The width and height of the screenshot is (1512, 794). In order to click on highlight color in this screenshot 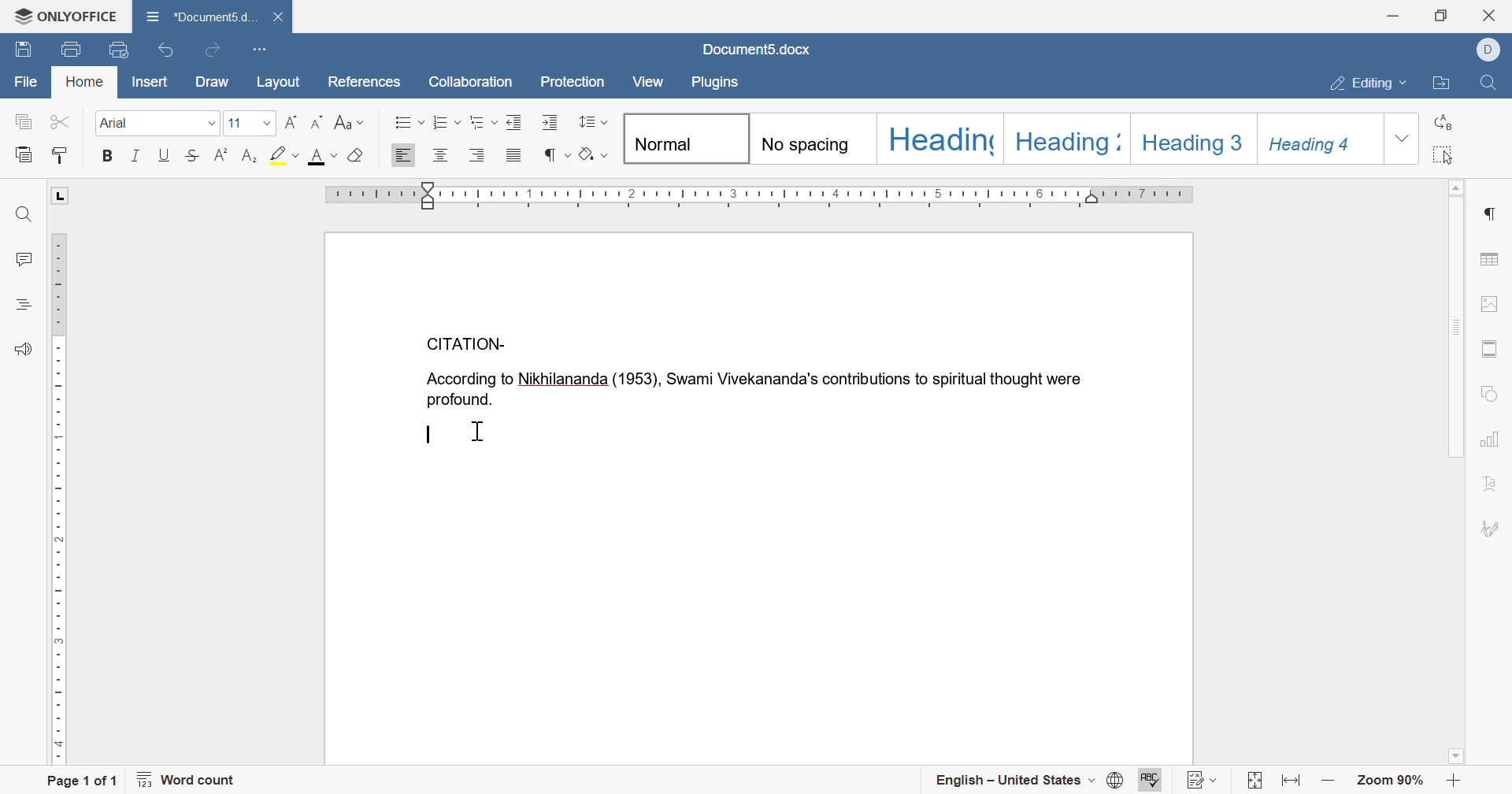, I will do `click(283, 155)`.